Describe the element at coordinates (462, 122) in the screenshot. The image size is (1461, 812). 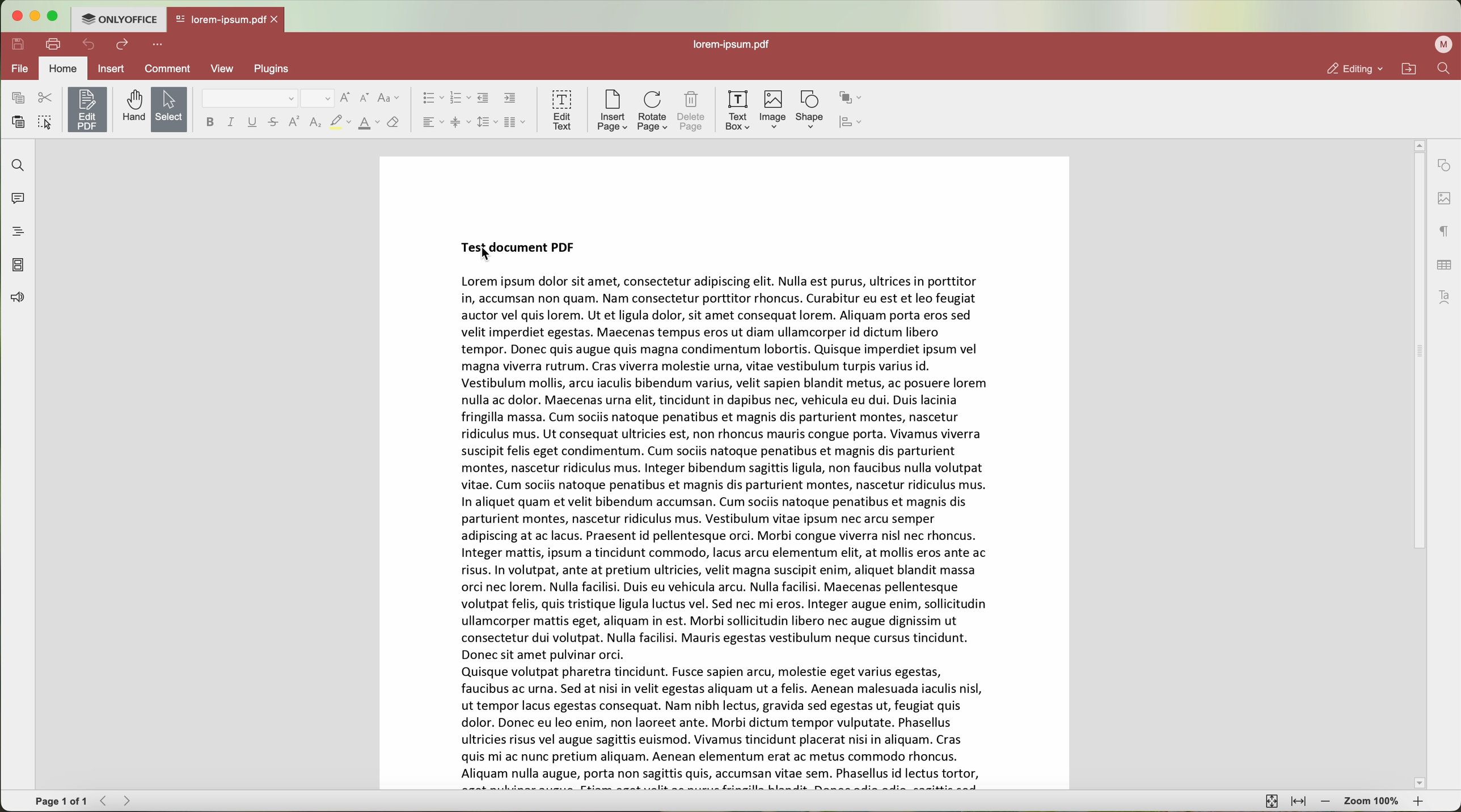
I see `vertical align` at that location.